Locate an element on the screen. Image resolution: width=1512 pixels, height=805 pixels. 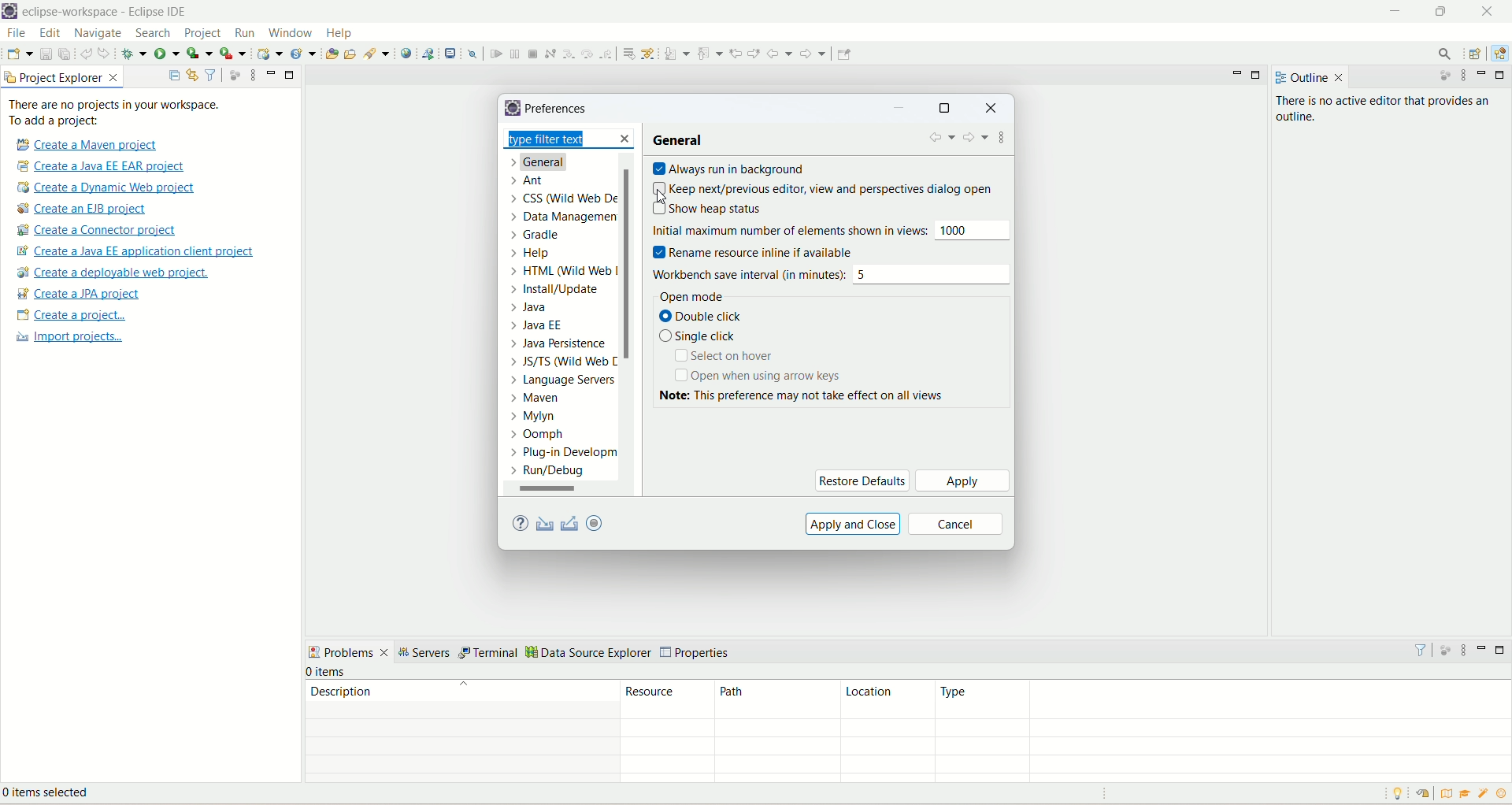
search is located at coordinates (378, 54).